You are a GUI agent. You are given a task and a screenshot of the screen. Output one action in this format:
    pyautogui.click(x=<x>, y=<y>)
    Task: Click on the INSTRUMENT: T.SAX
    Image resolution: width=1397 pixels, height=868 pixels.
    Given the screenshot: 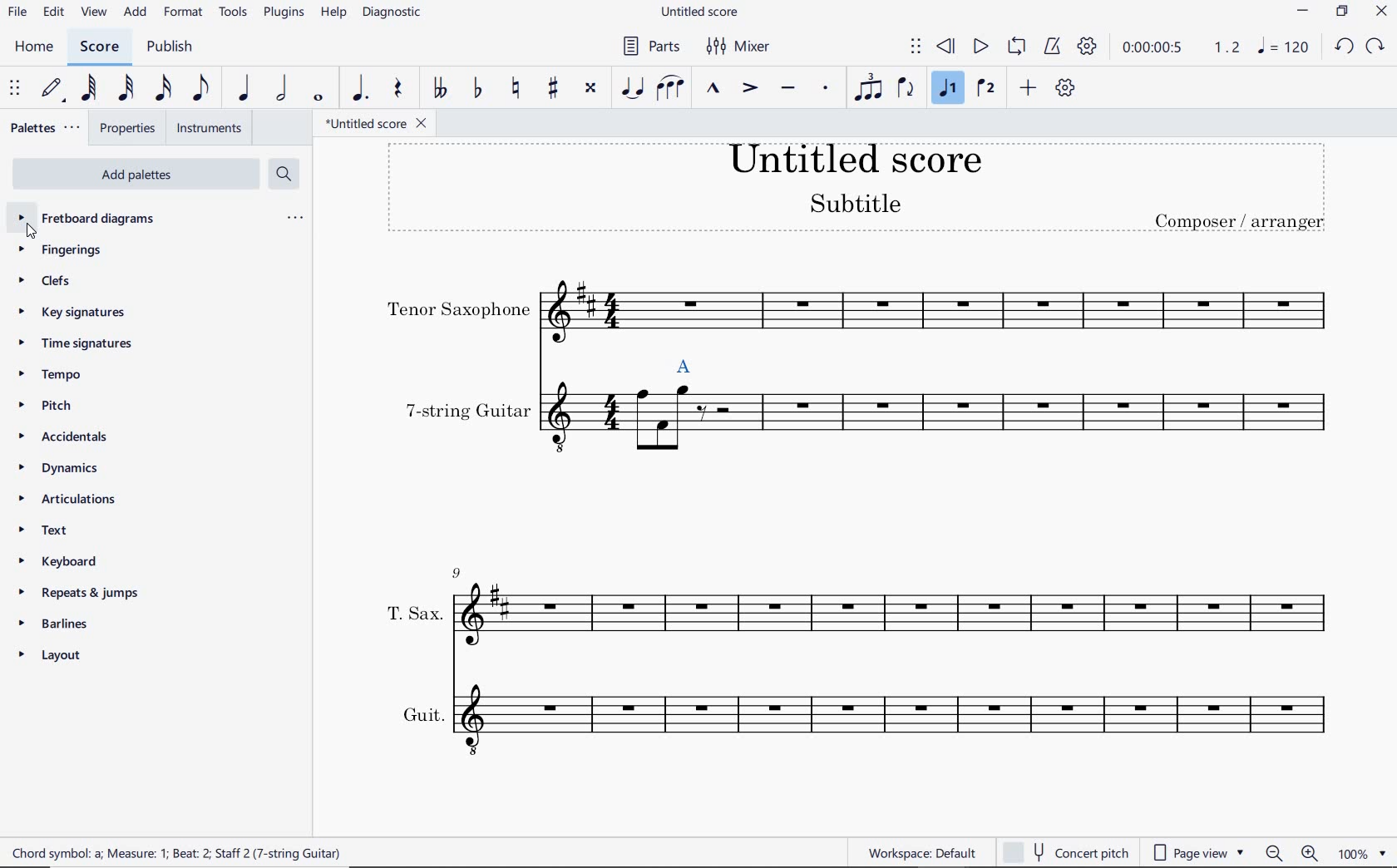 What is the action you would take?
    pyautogui.click(x=849, y=604)
    